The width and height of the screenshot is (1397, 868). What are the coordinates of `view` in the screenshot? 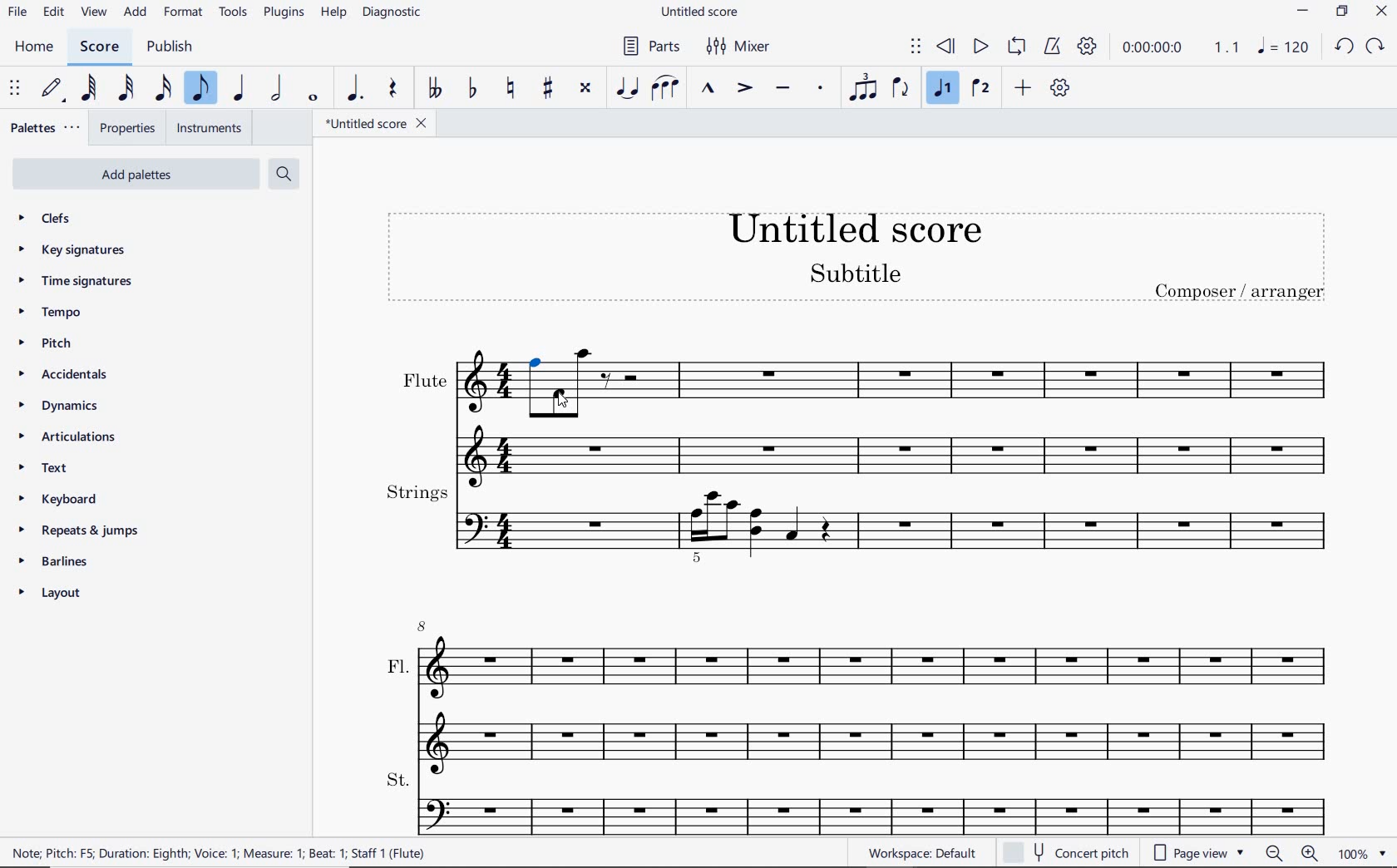 It's located at (91, 13).